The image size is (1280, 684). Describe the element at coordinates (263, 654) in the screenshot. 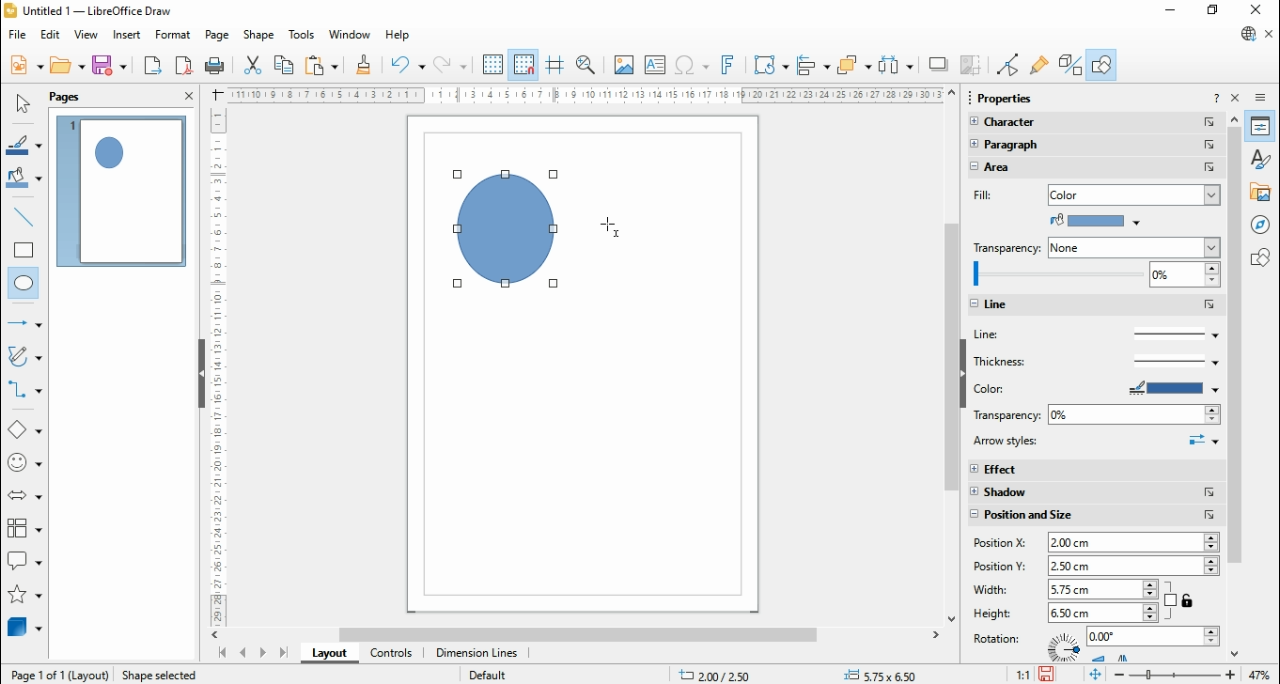

I see `next page` at that location.